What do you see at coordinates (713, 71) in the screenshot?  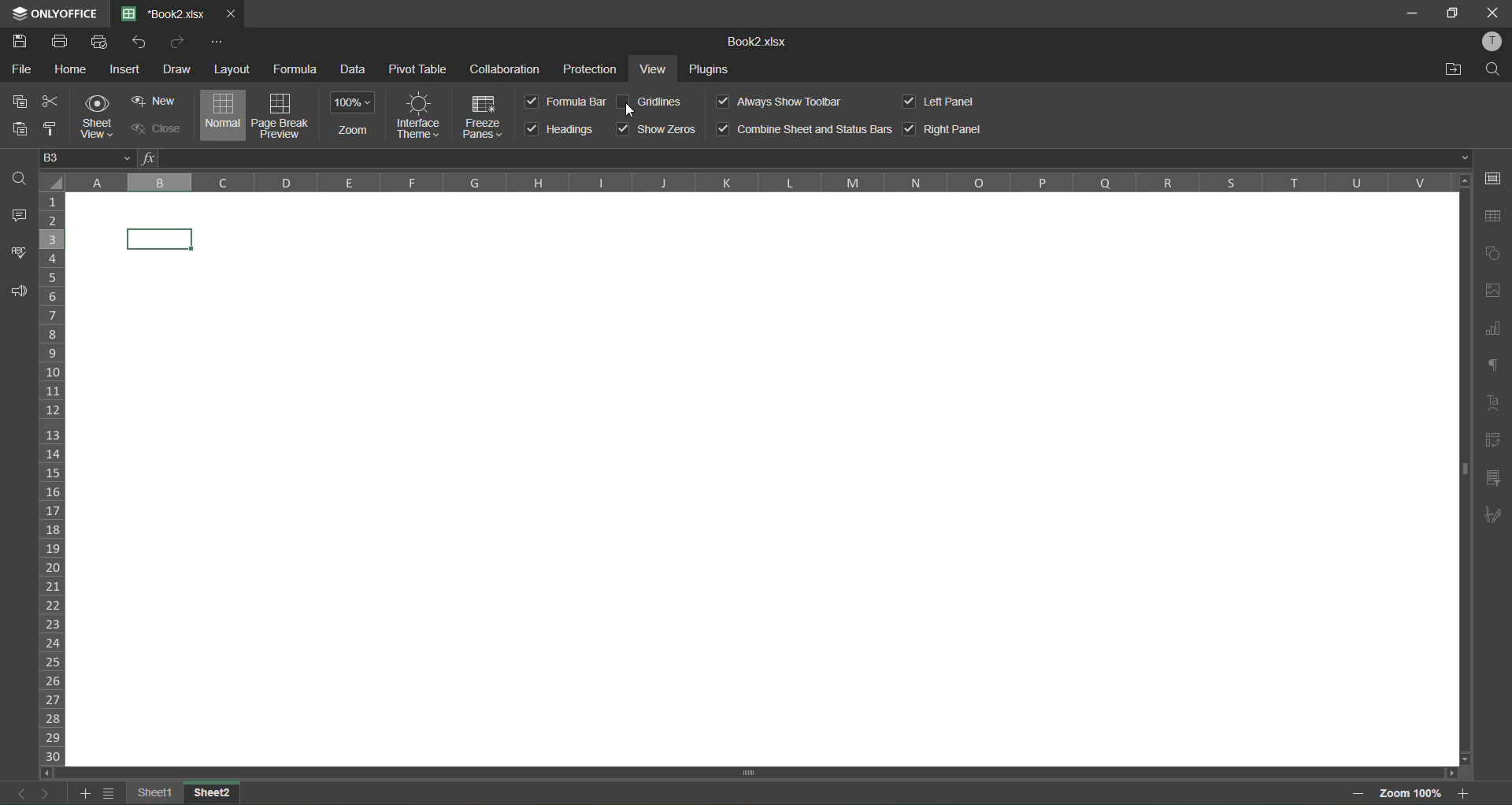 I see `plugins` at bounding box center [713, 71].